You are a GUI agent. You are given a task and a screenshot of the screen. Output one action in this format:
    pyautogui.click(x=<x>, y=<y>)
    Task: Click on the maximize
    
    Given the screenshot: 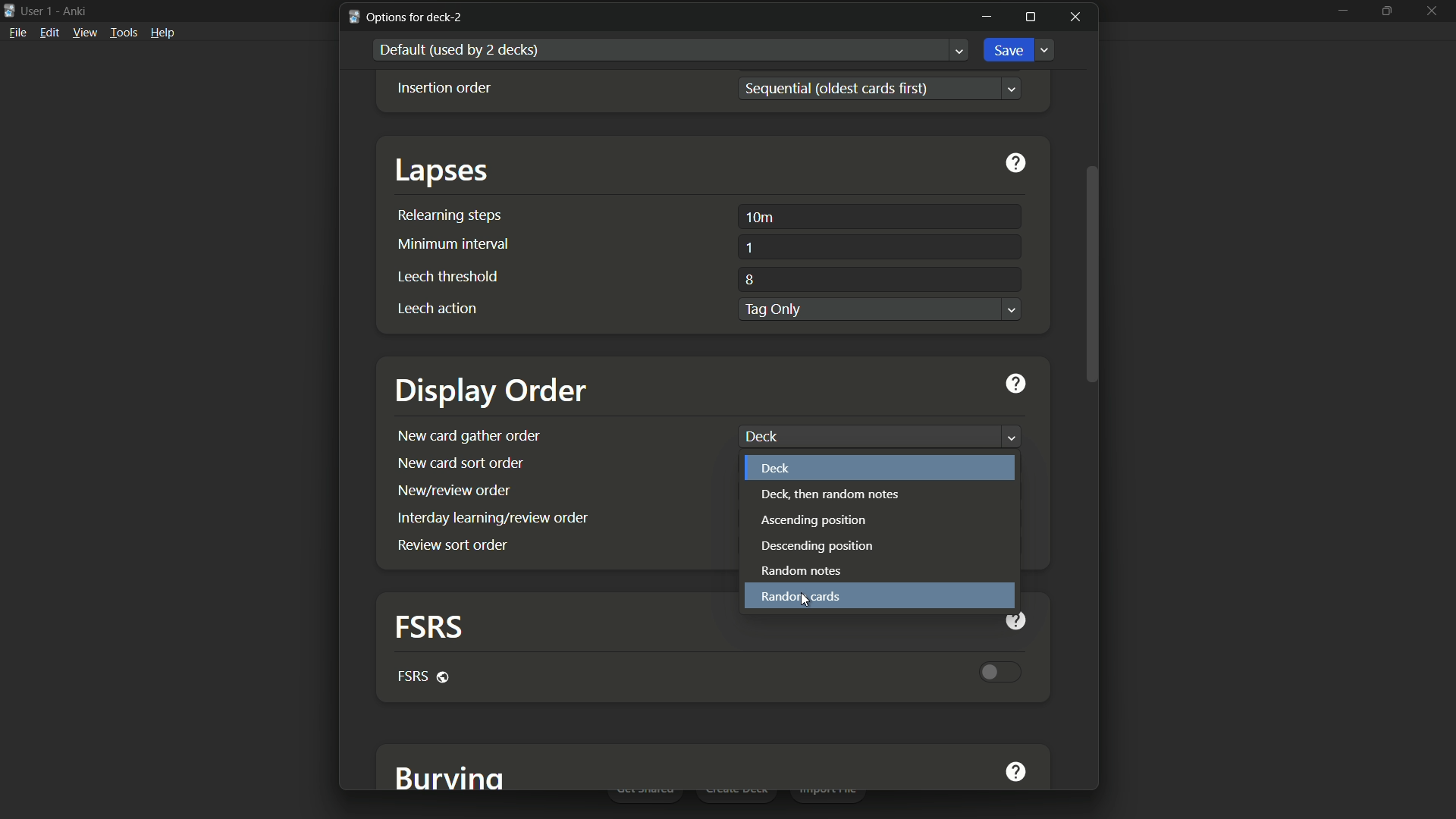 What is the action you would take?
    pyautogui.click(x=1389, y=9)
    